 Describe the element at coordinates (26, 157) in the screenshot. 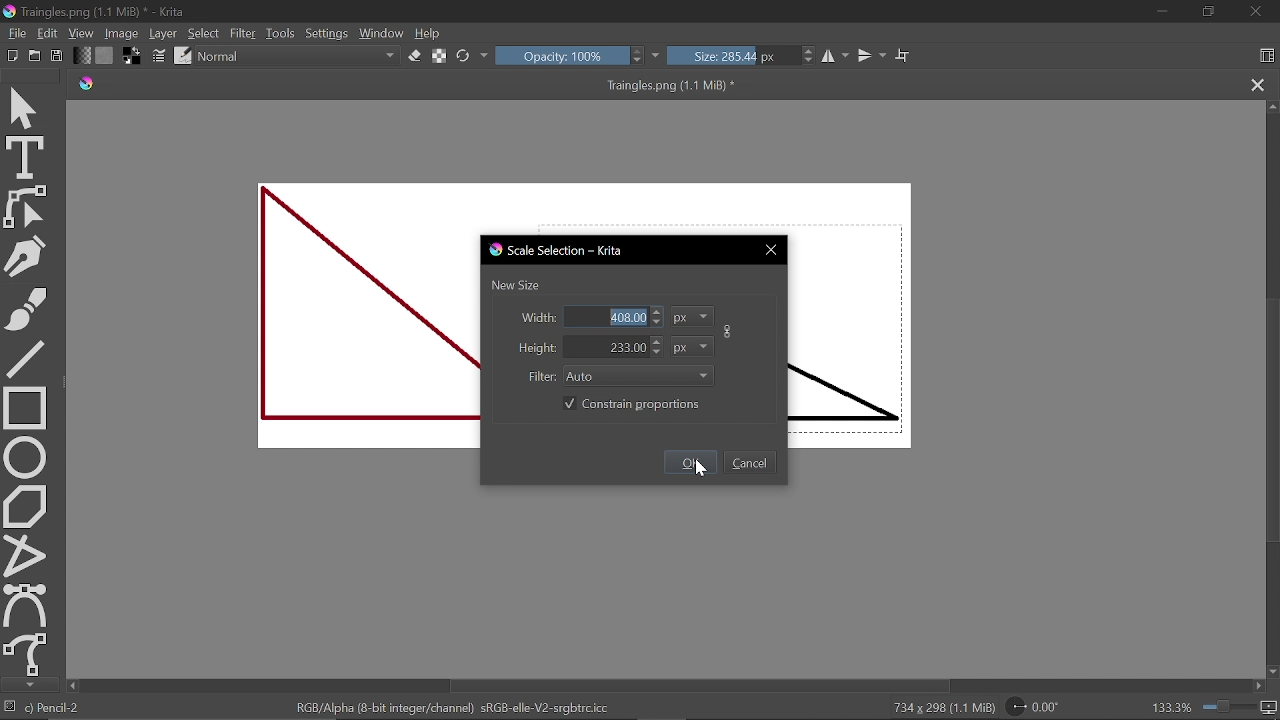

I see `Text tool` at that location.